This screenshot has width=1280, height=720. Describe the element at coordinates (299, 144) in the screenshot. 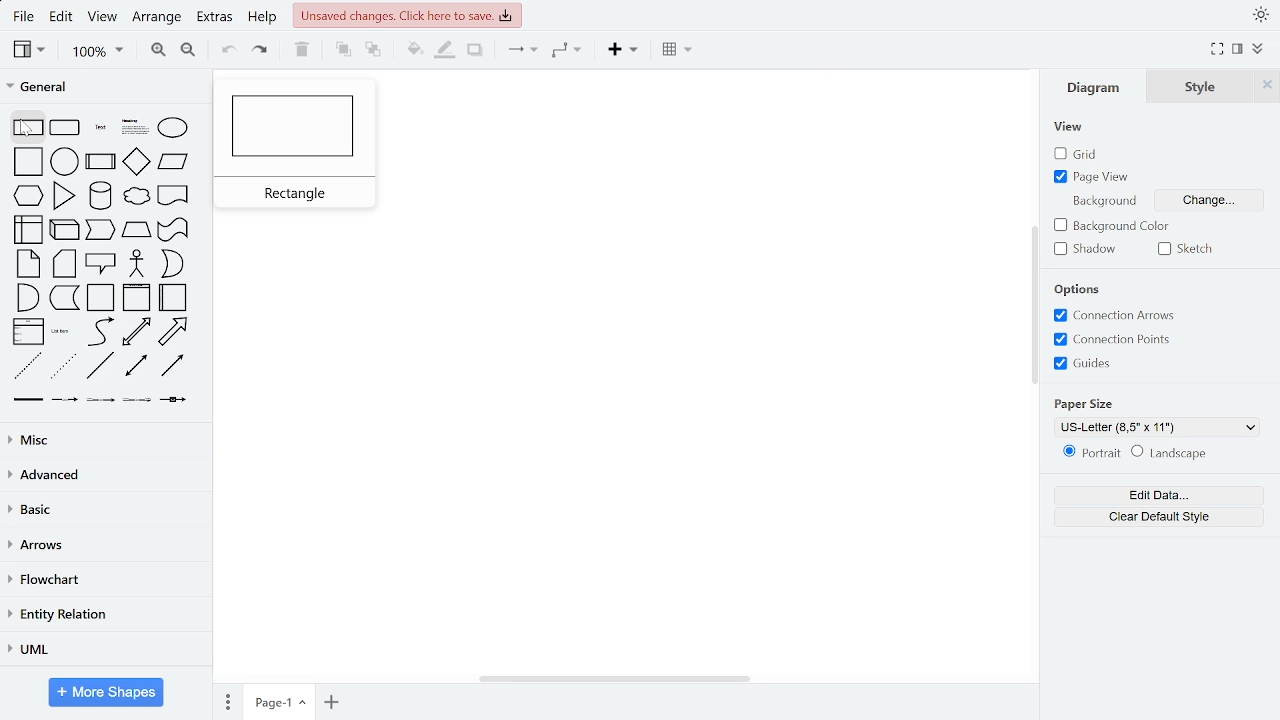

I see `preview` at that location.